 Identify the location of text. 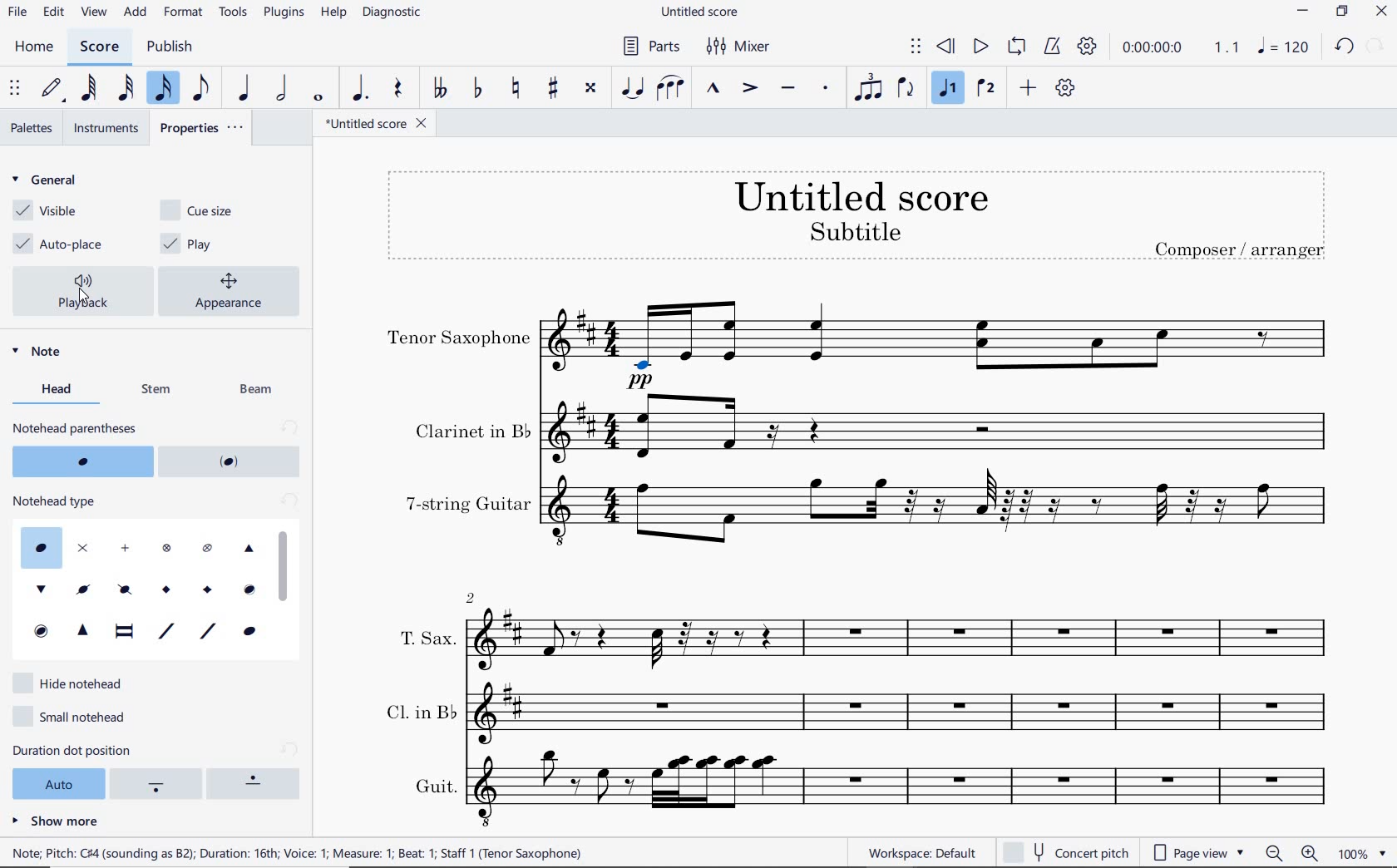
(76, 427).